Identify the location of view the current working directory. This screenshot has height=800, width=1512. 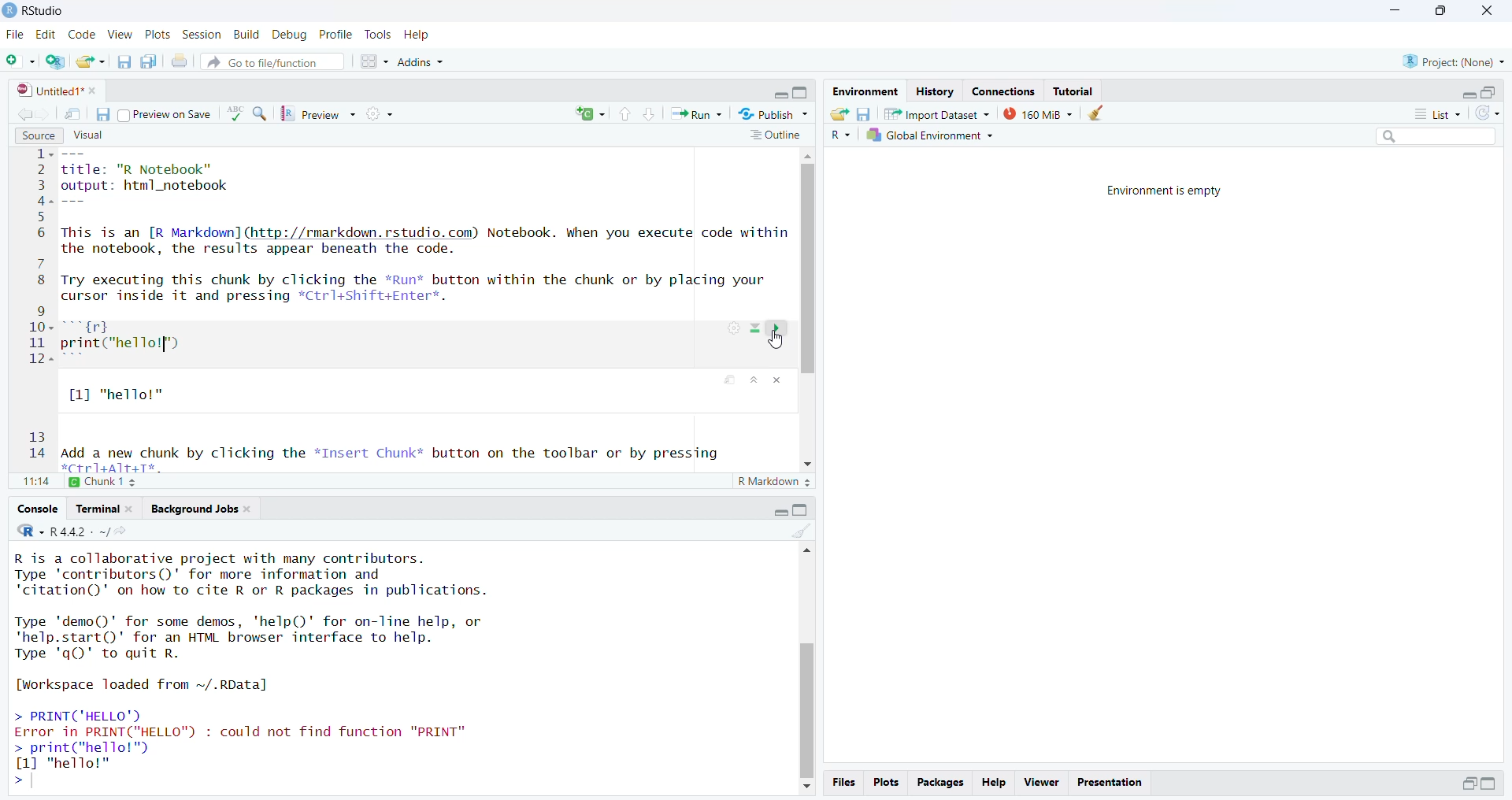
(124, 530).